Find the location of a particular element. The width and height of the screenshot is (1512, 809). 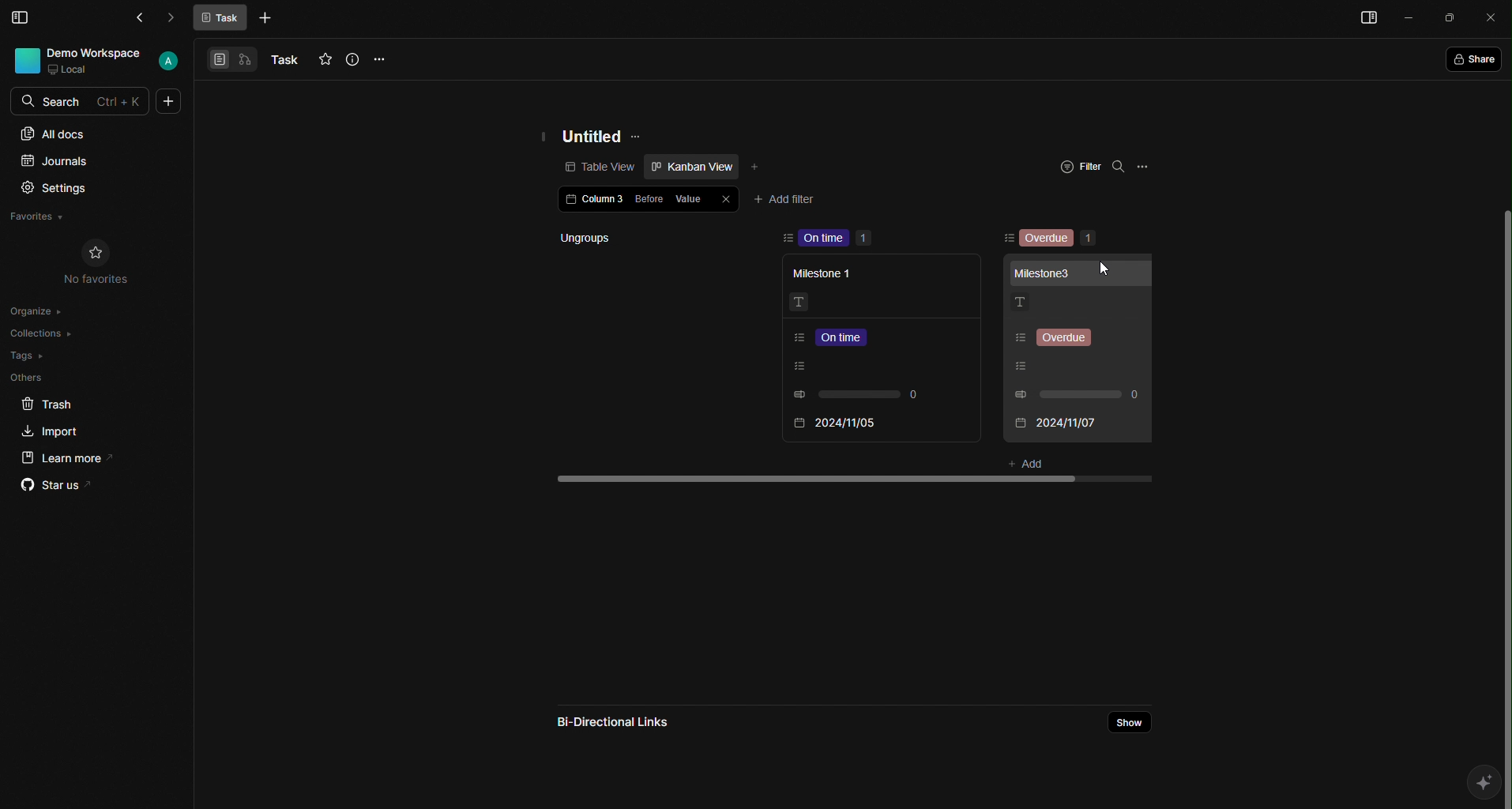

More is located at coordinates (168, 101).